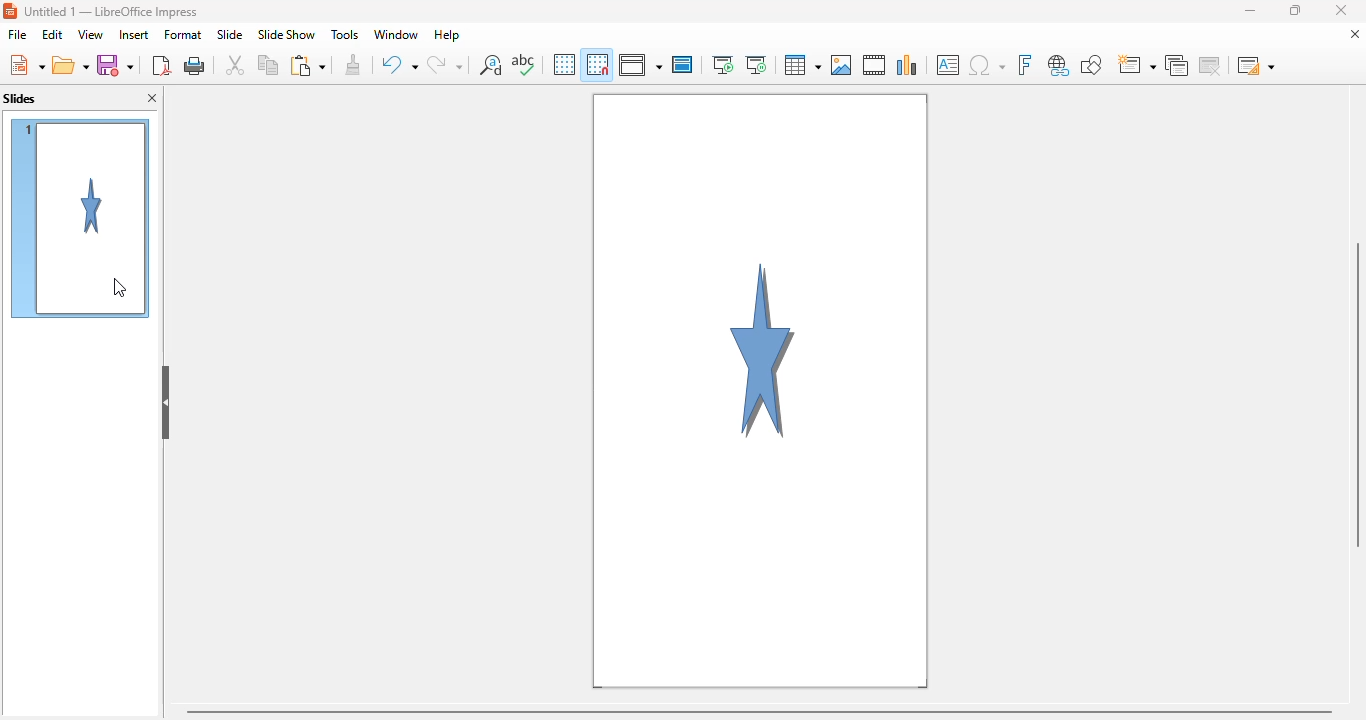 The height and width of the screenshot is (720, 1366). Describe the element at coordinates (134, 35) in the screenshot. I see `insert` at that location.